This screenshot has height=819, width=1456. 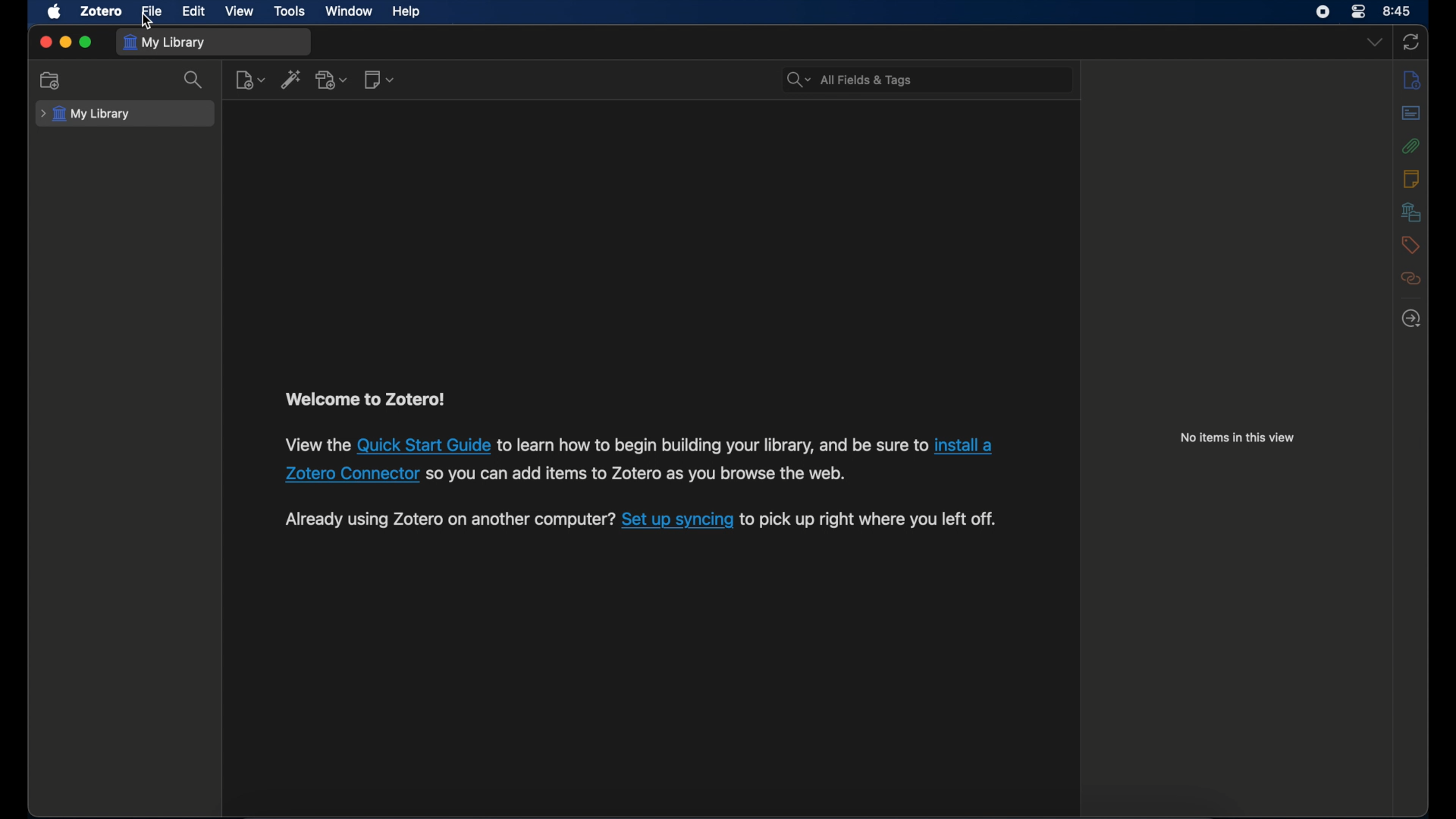 I want to click on attachments, so click(x=1411, y=146).